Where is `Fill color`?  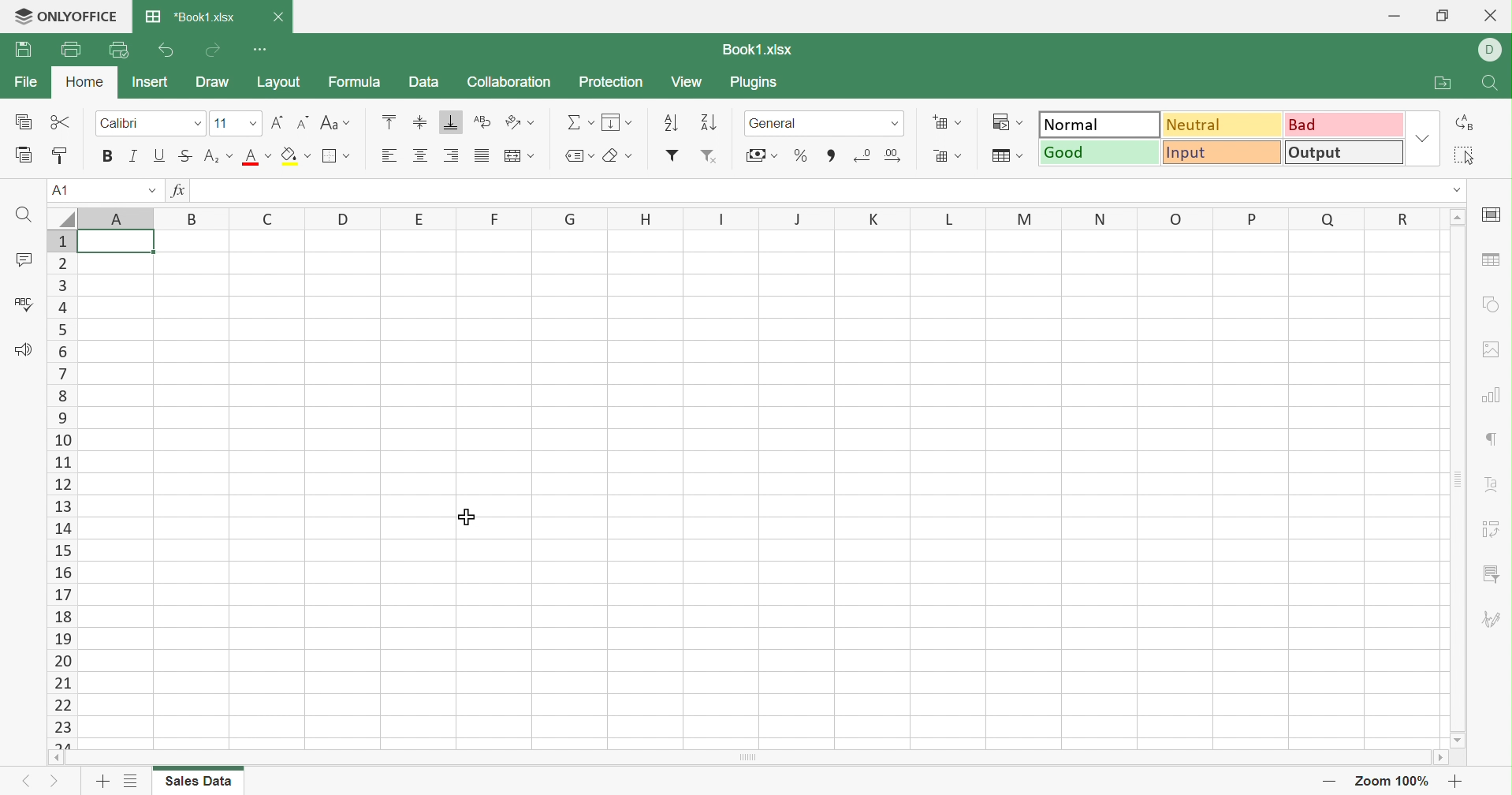
Fill color is located at coordinates (298, 155).